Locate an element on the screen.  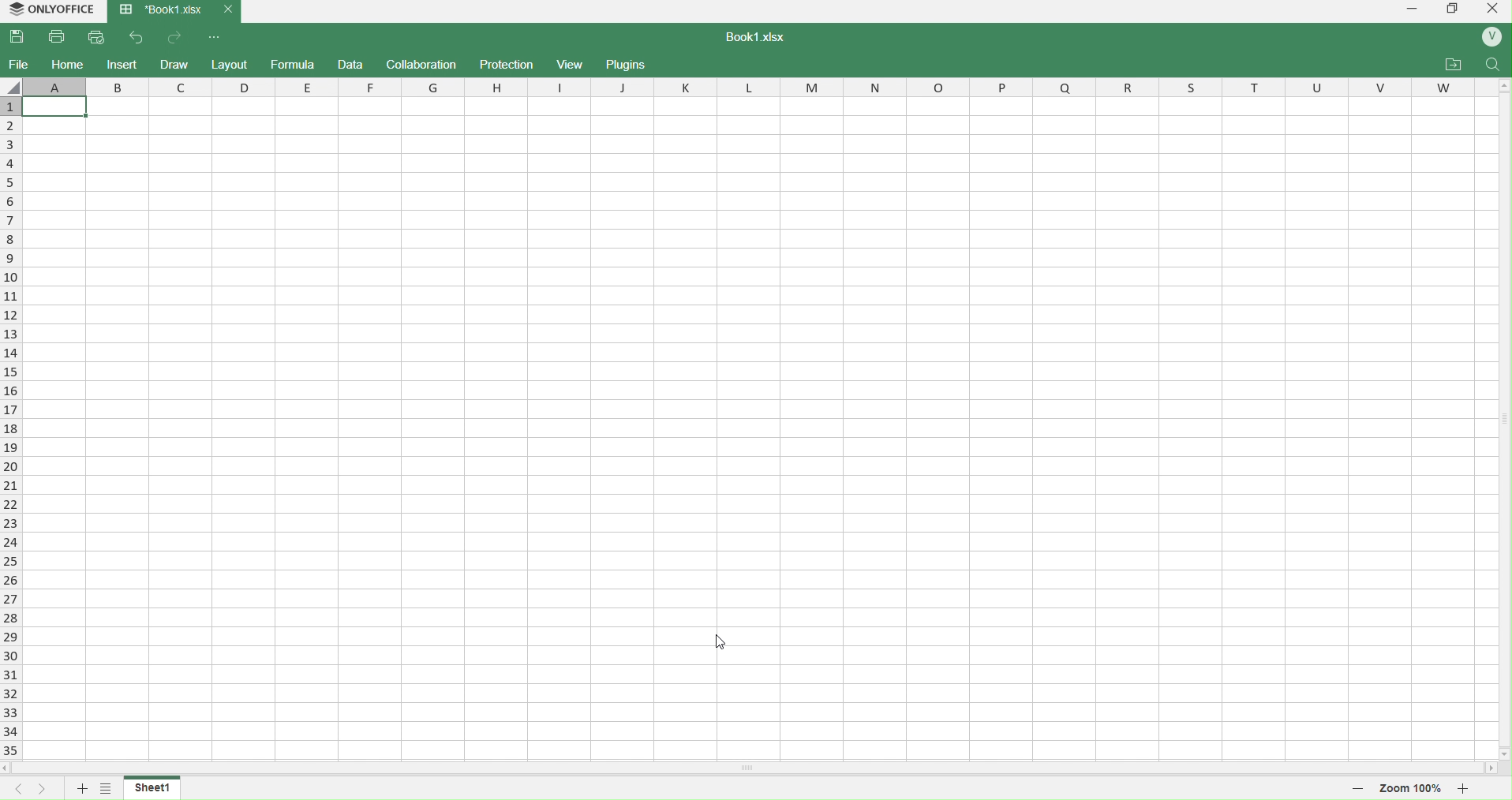
file is located at coordinates (19, 64).